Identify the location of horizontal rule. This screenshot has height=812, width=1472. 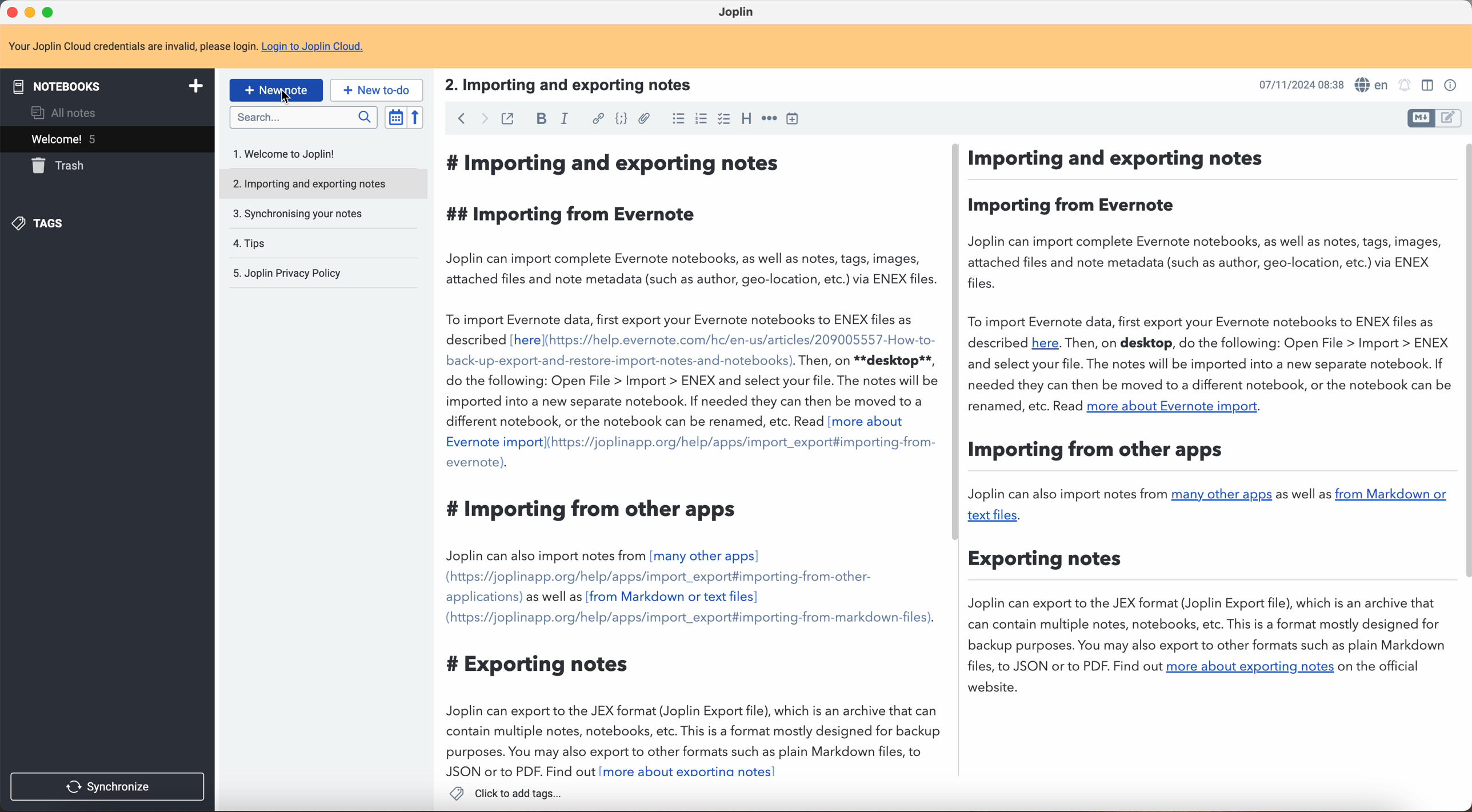
(770, 121).